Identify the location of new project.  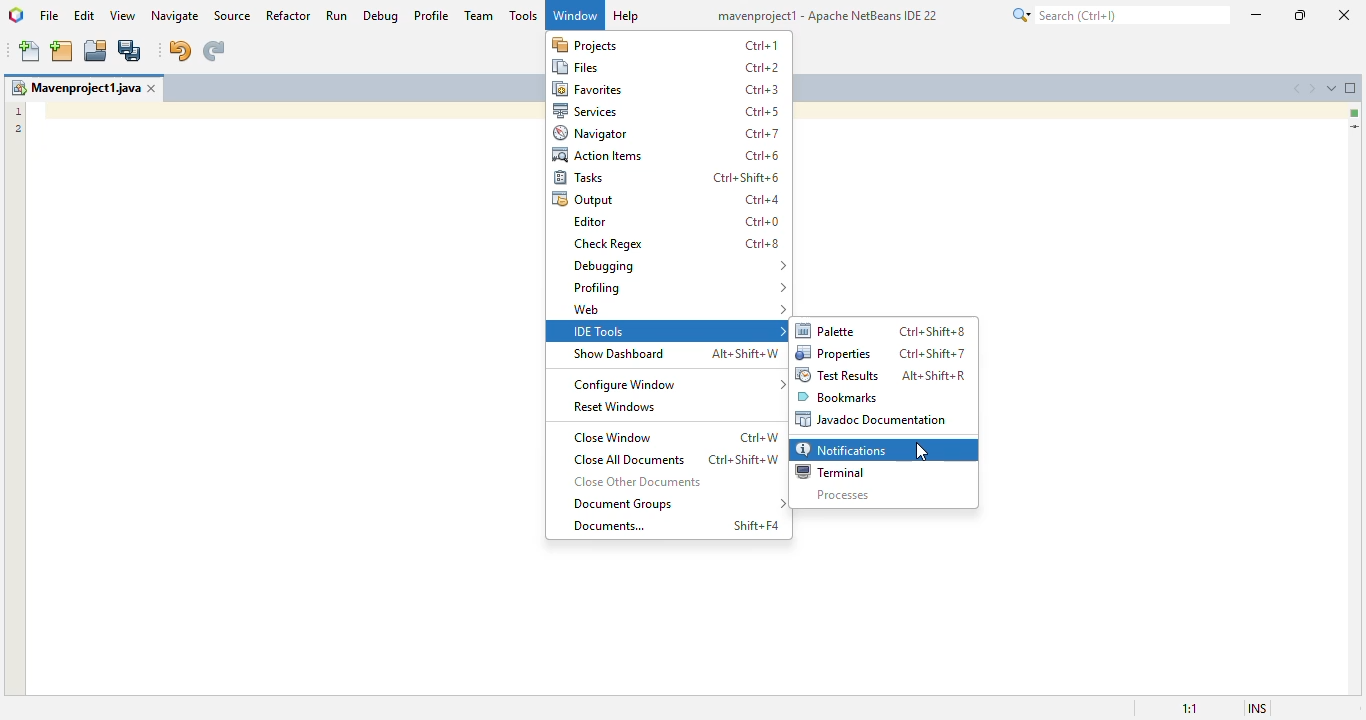
(62, 51).